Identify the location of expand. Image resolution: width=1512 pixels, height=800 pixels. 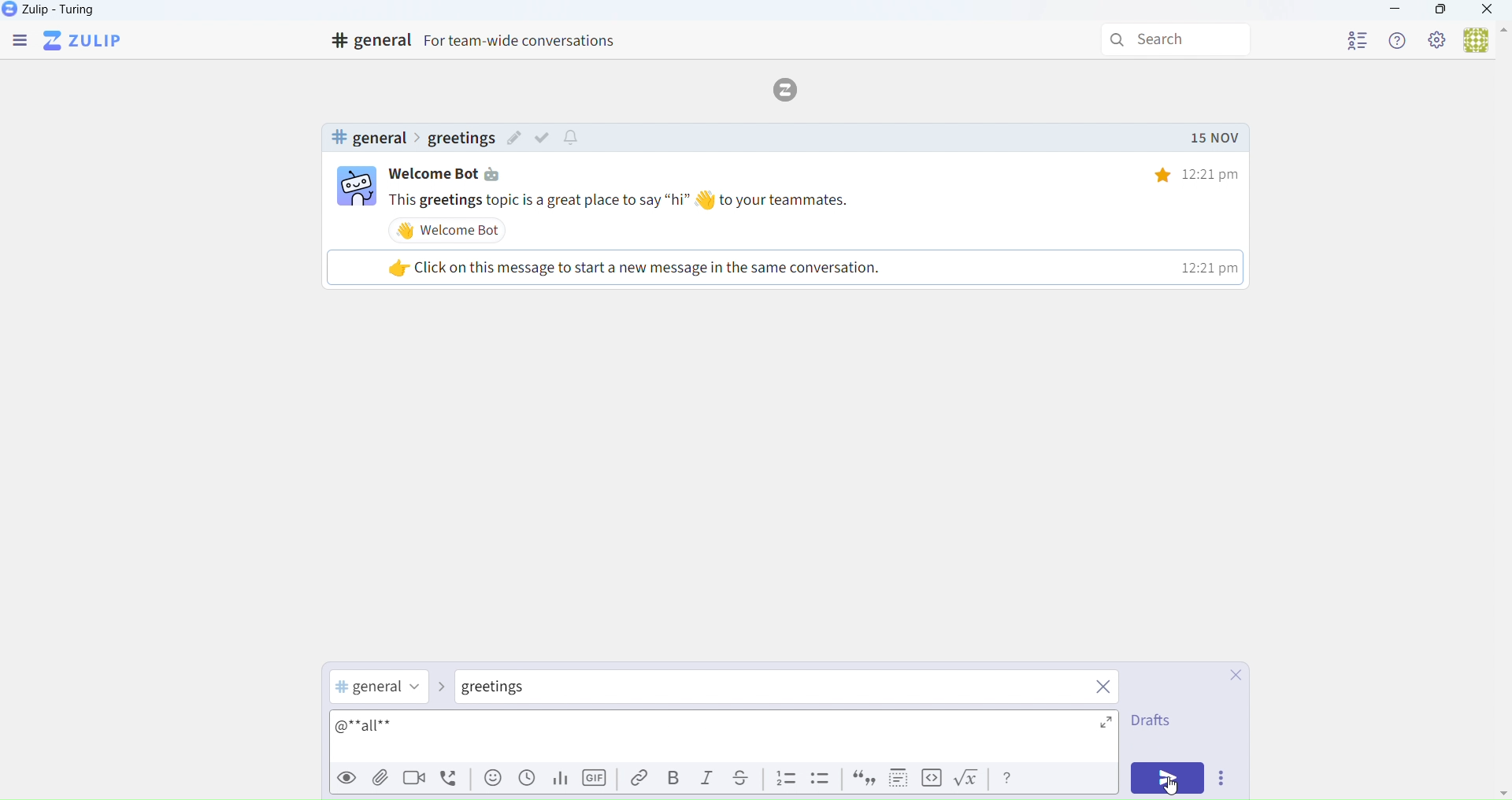
(1086, 727).